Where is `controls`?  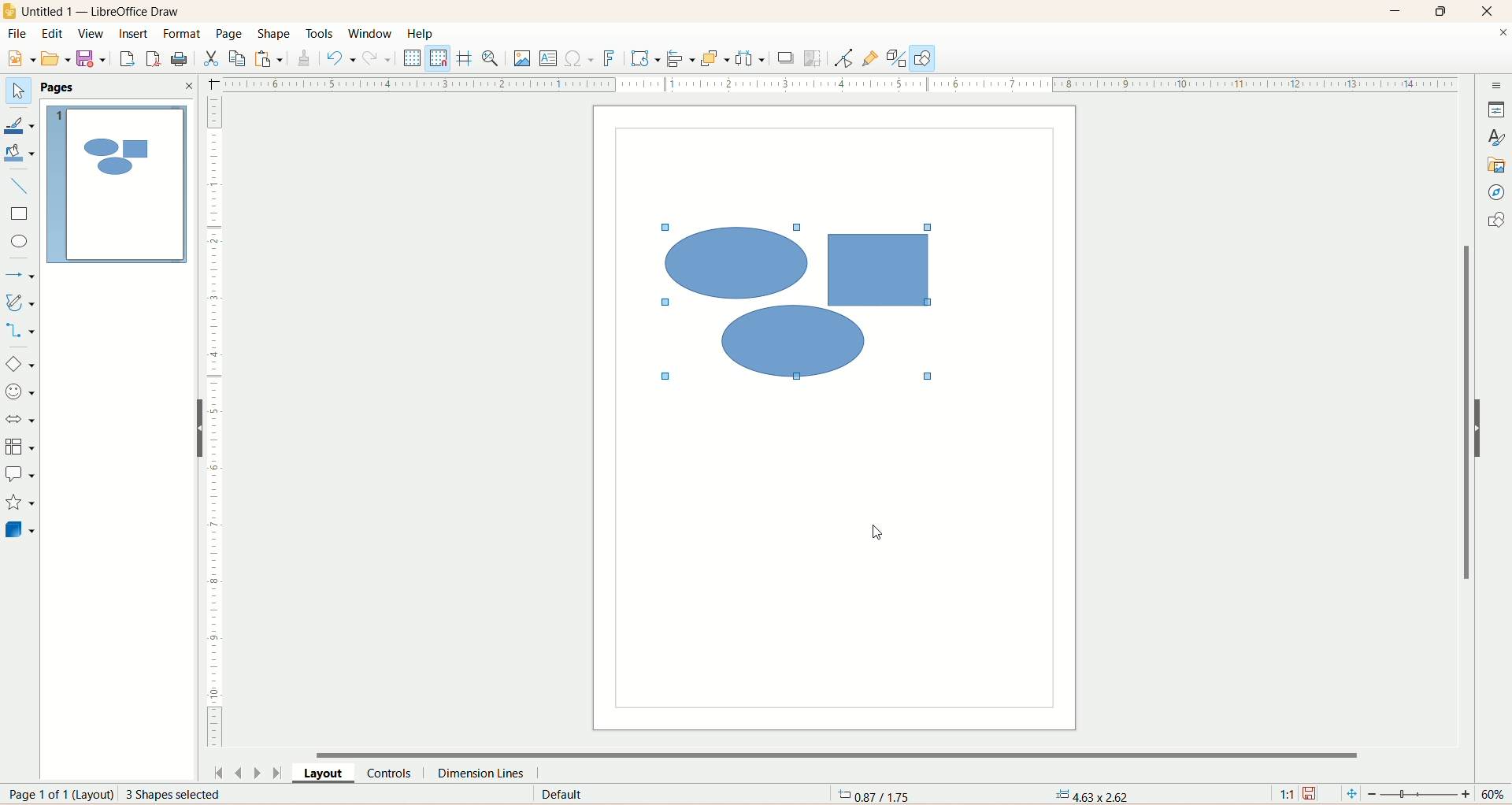 controls is located at coordinates (390, 773).